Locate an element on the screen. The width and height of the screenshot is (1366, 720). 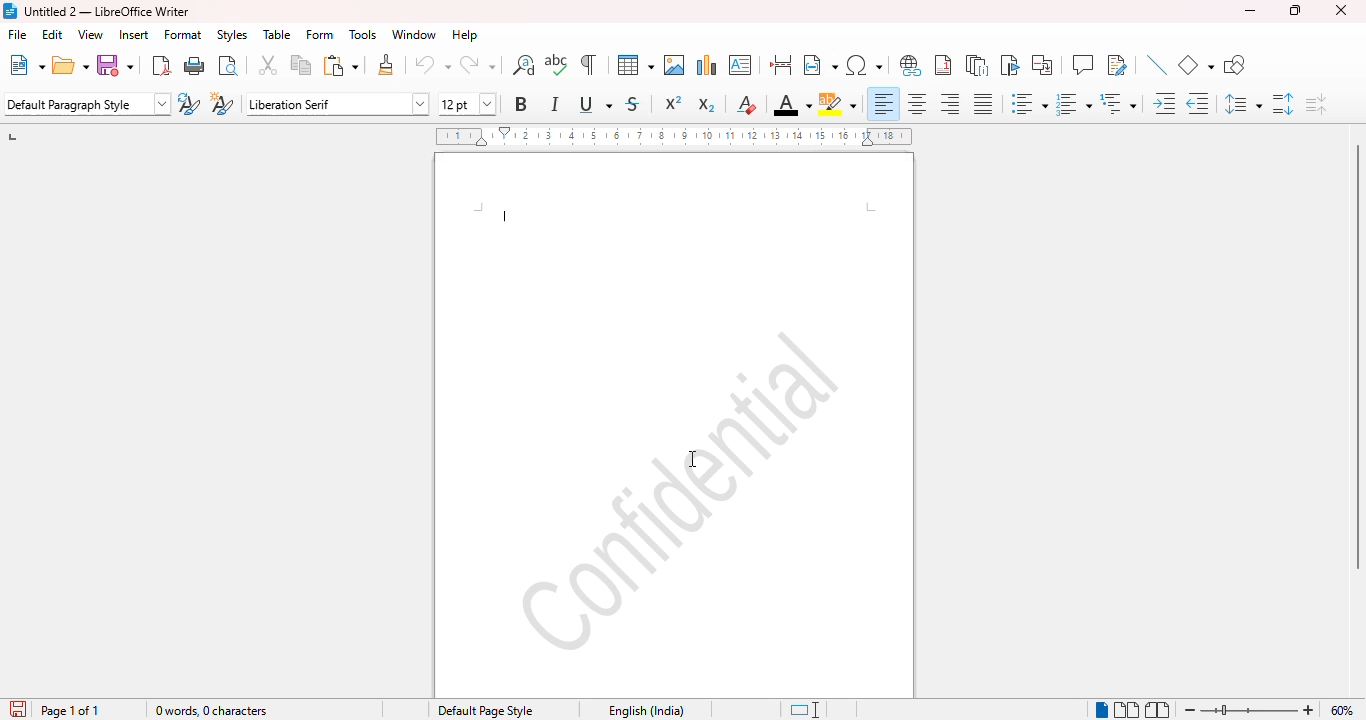
styles is located at coordinates (232, 34).